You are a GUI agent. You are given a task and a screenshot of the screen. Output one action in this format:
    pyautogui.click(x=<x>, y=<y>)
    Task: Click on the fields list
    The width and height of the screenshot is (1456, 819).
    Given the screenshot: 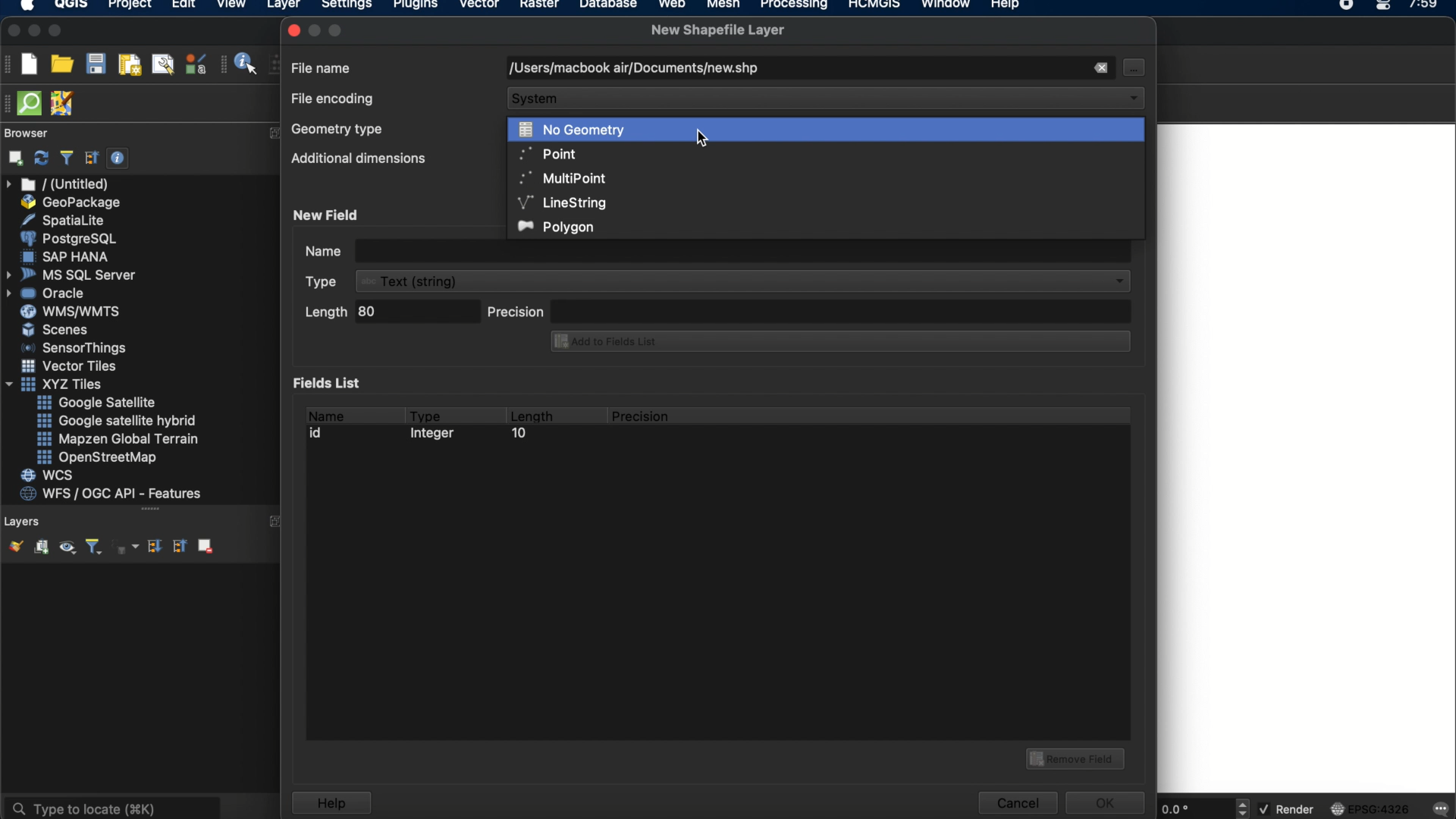 What is the action you would take?
    pyautogui.click(x=331, y=382)
    